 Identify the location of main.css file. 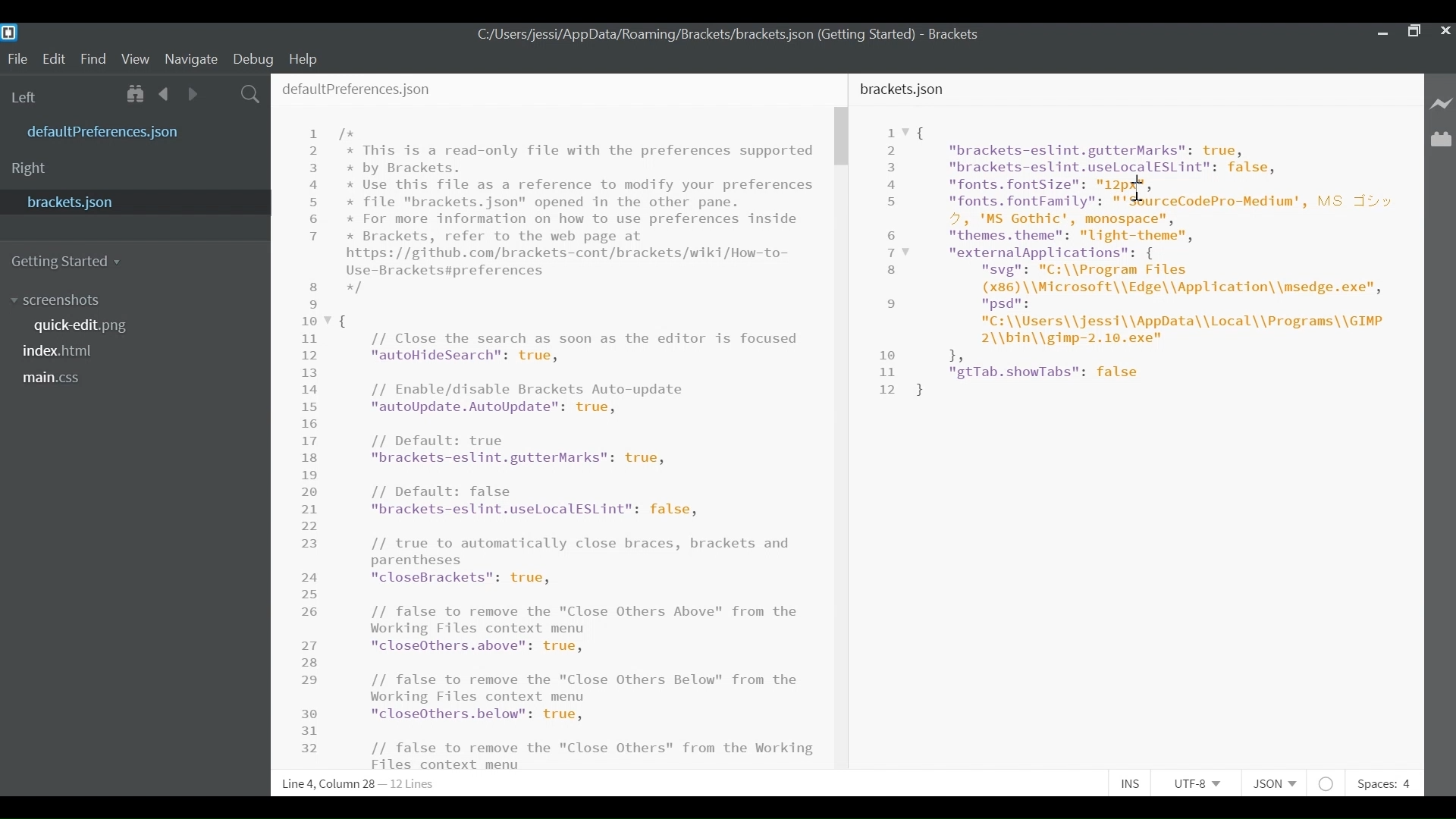
(56, 377).